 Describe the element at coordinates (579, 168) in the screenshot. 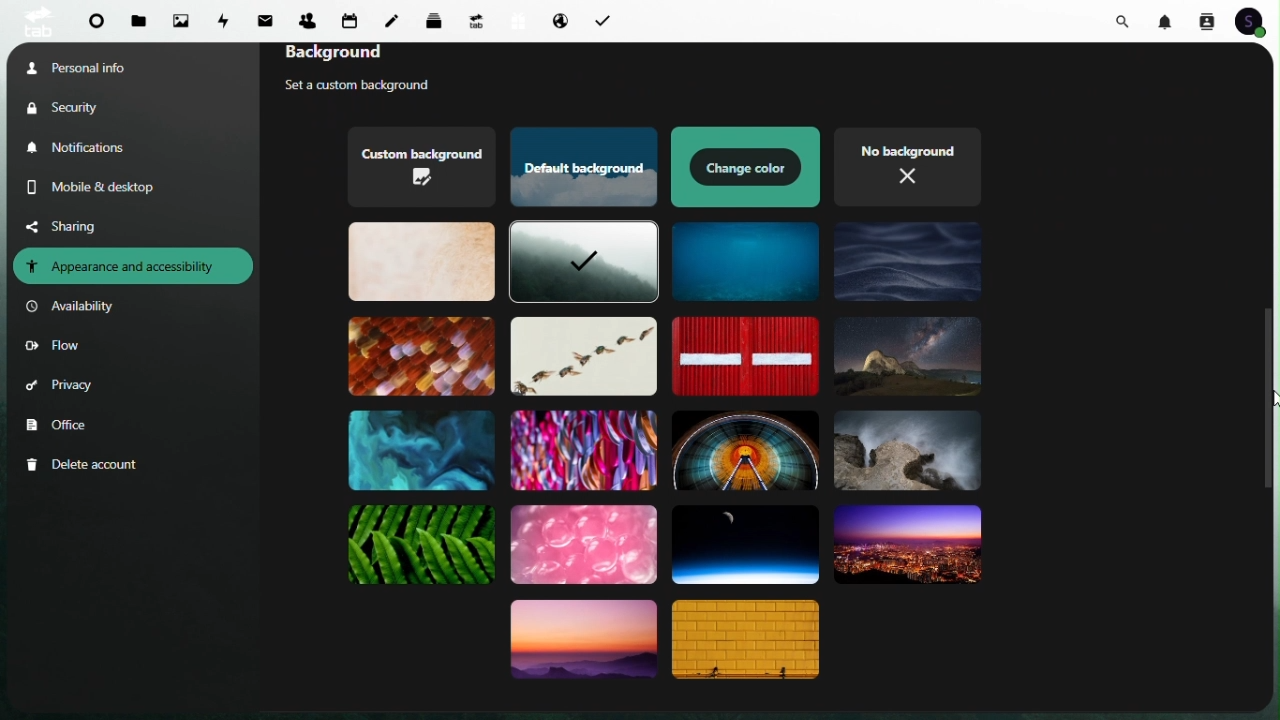

I see `Themes` at that location.